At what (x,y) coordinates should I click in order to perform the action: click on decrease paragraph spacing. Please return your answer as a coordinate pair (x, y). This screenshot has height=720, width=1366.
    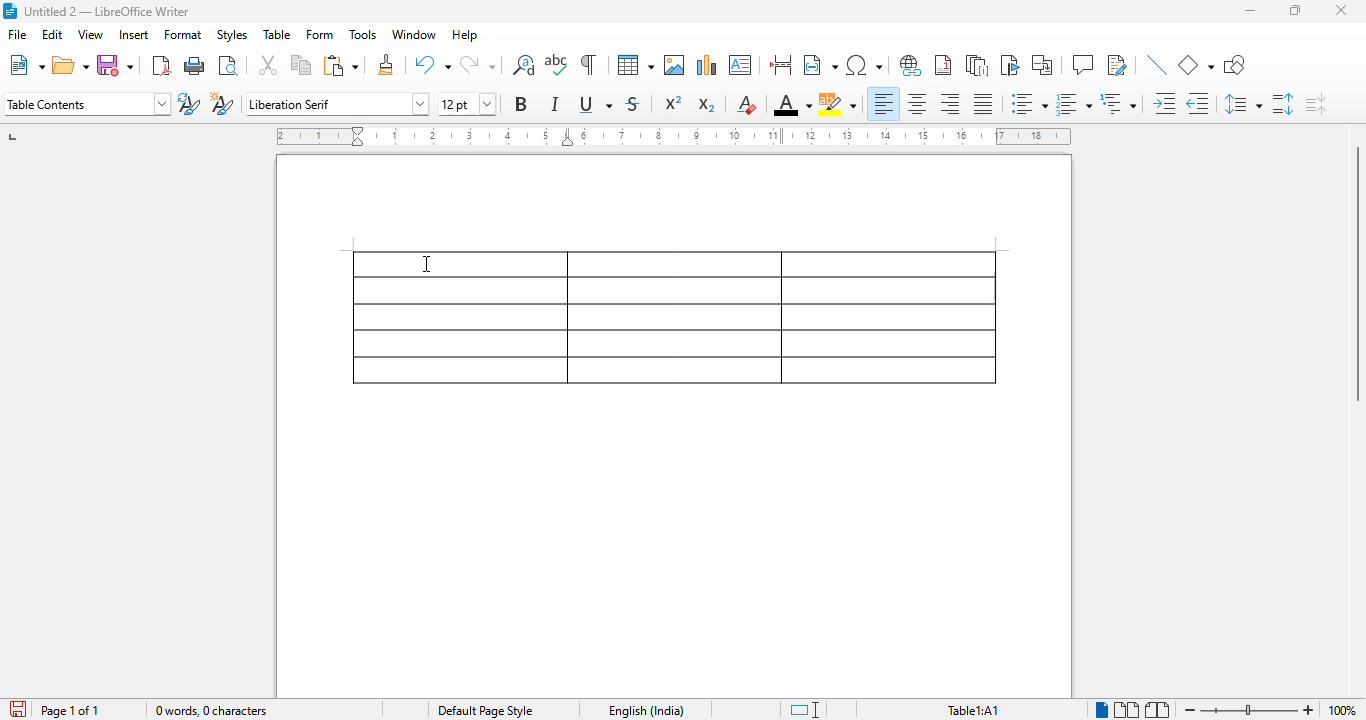
    Looking at the image, I should click on (1315, 104).